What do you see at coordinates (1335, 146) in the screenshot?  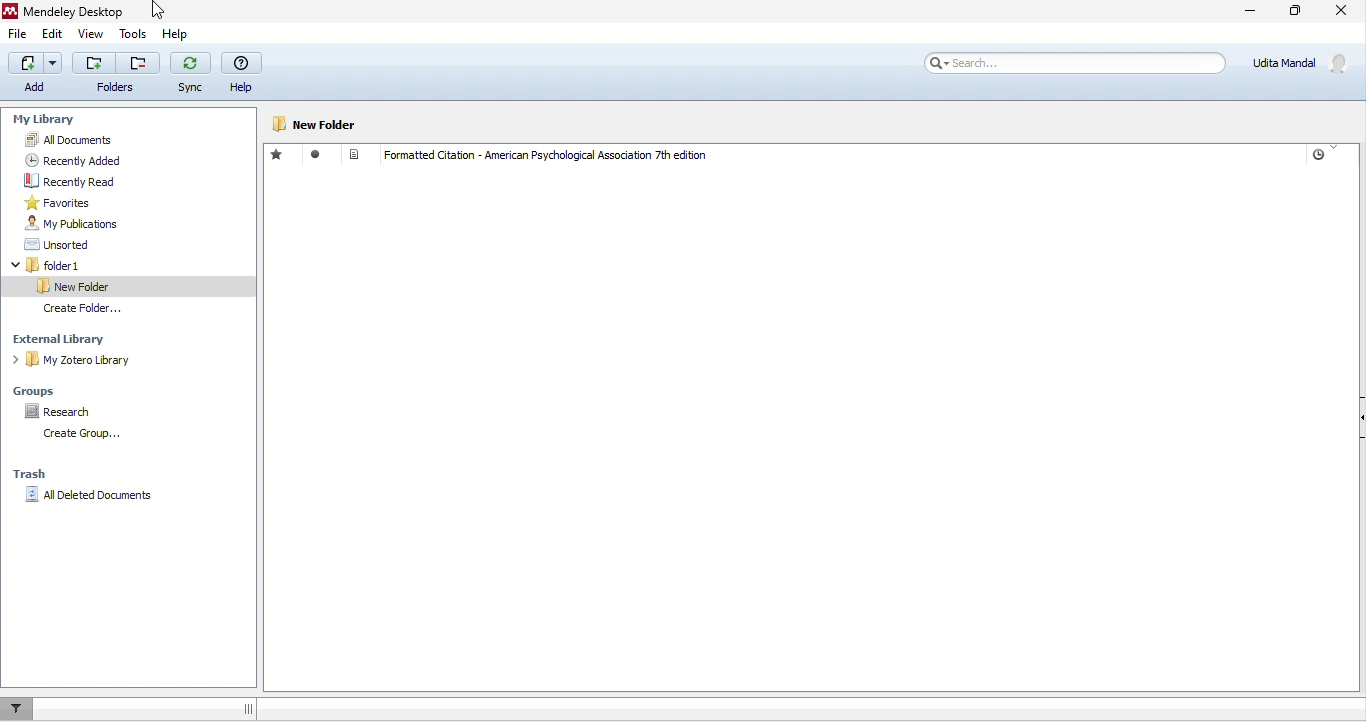 I see `Indicates current column sorting` at bounding box center [1335, 146].